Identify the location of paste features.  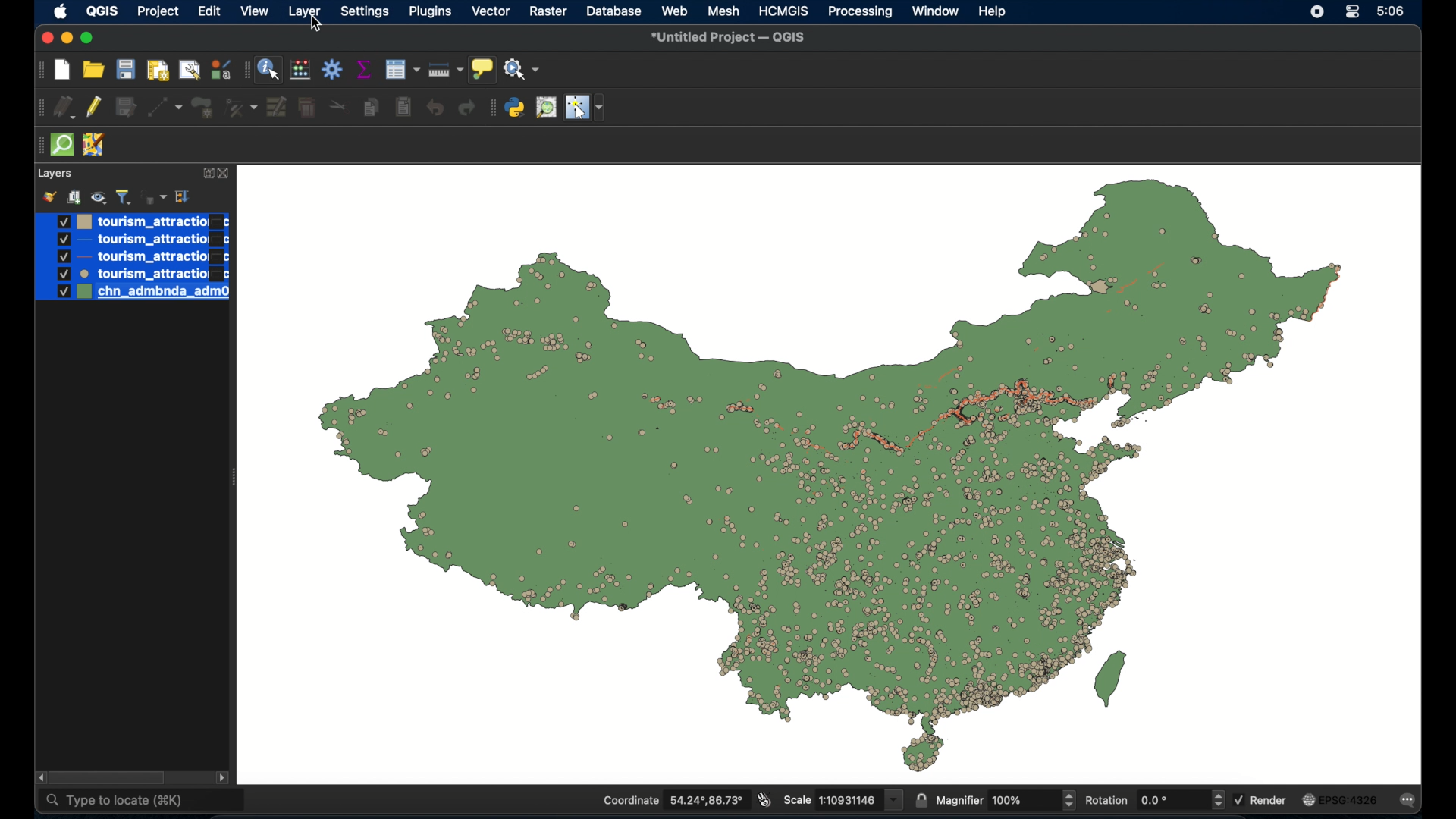
(404, 108).